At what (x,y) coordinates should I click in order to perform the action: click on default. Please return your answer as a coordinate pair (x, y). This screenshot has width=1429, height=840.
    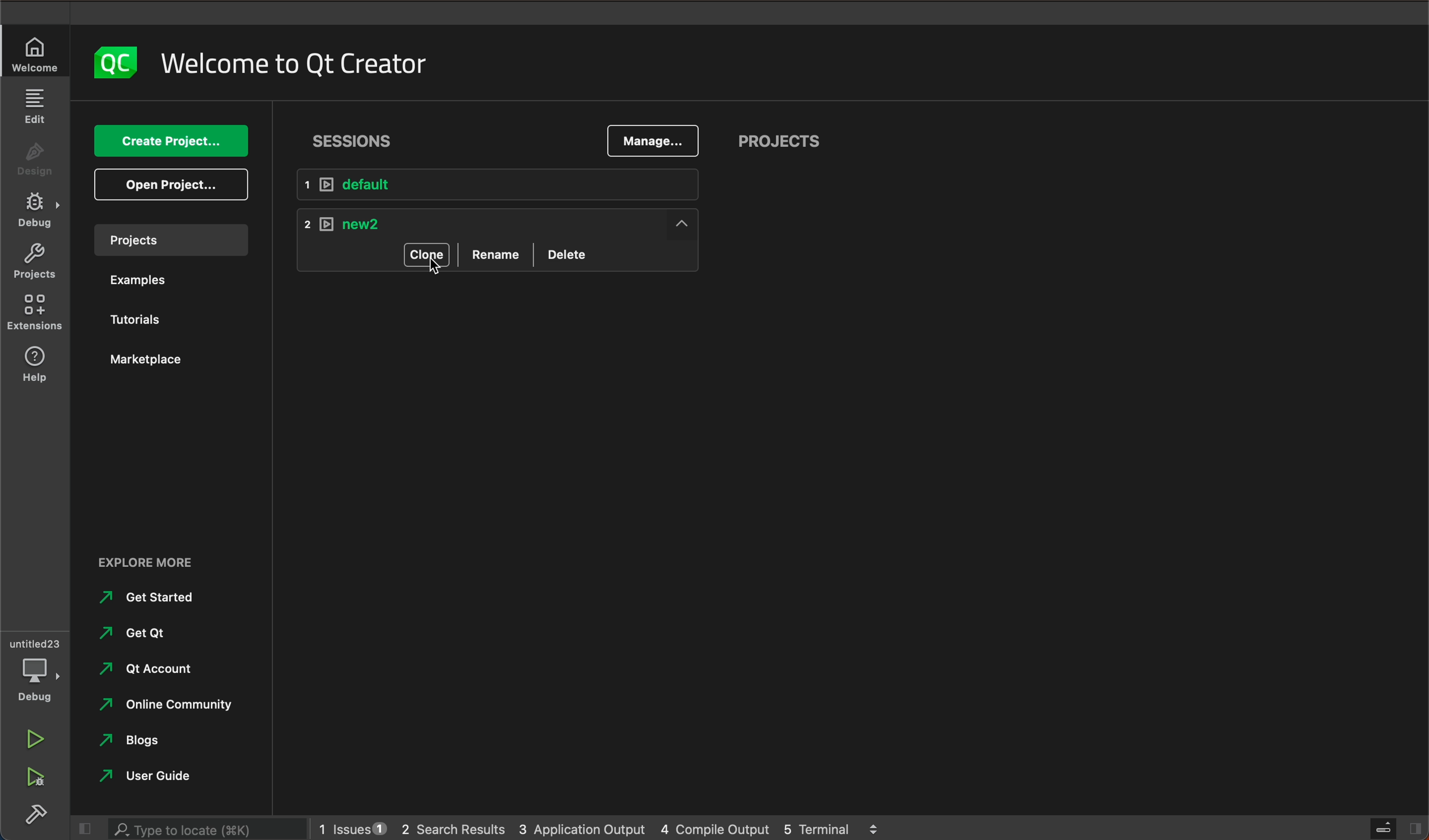
    Looking at the image, I should click on (496, 183).